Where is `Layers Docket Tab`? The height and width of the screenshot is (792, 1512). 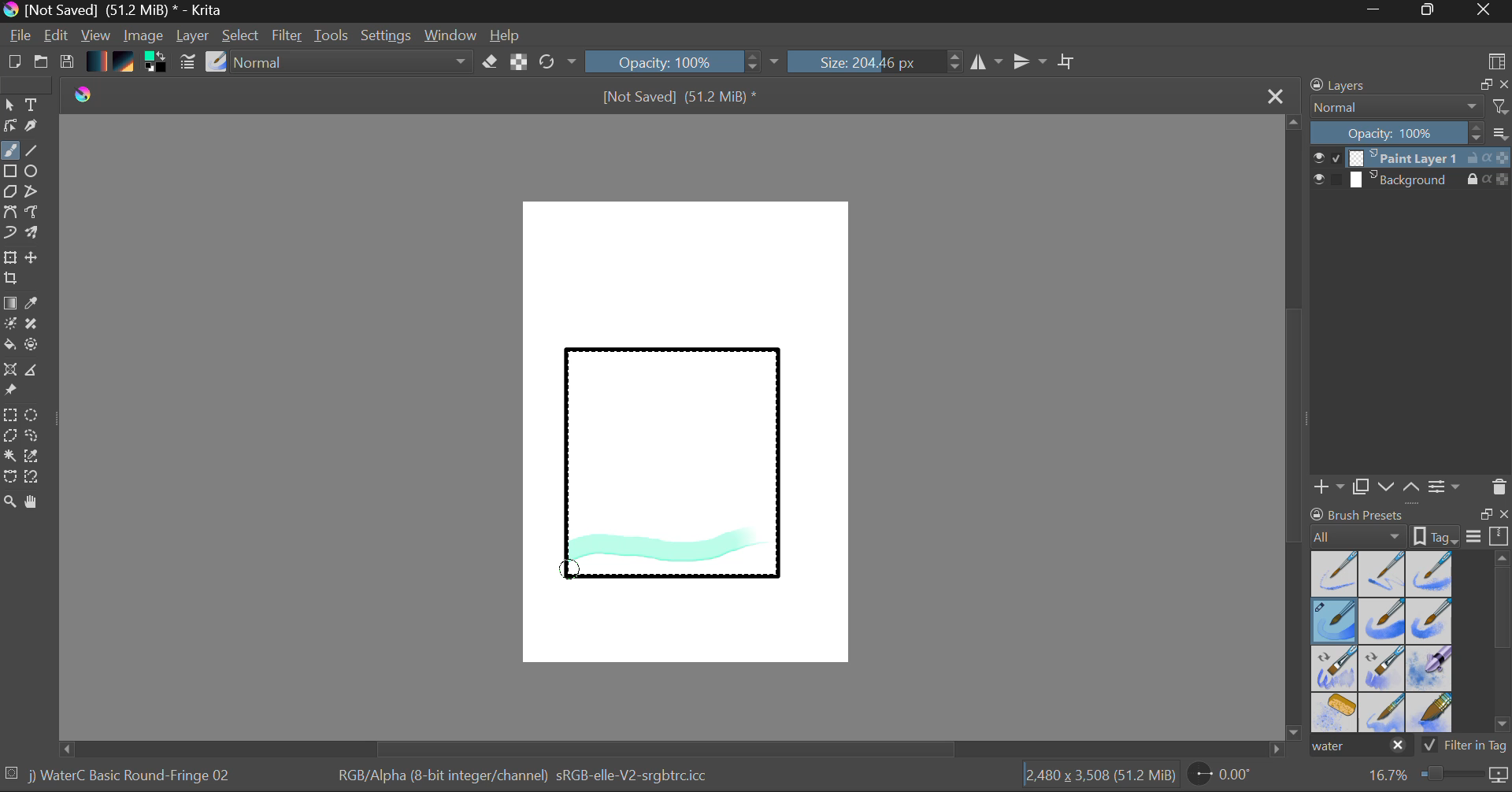 Layers Docket Tab is located at coordinates (1407, 83).